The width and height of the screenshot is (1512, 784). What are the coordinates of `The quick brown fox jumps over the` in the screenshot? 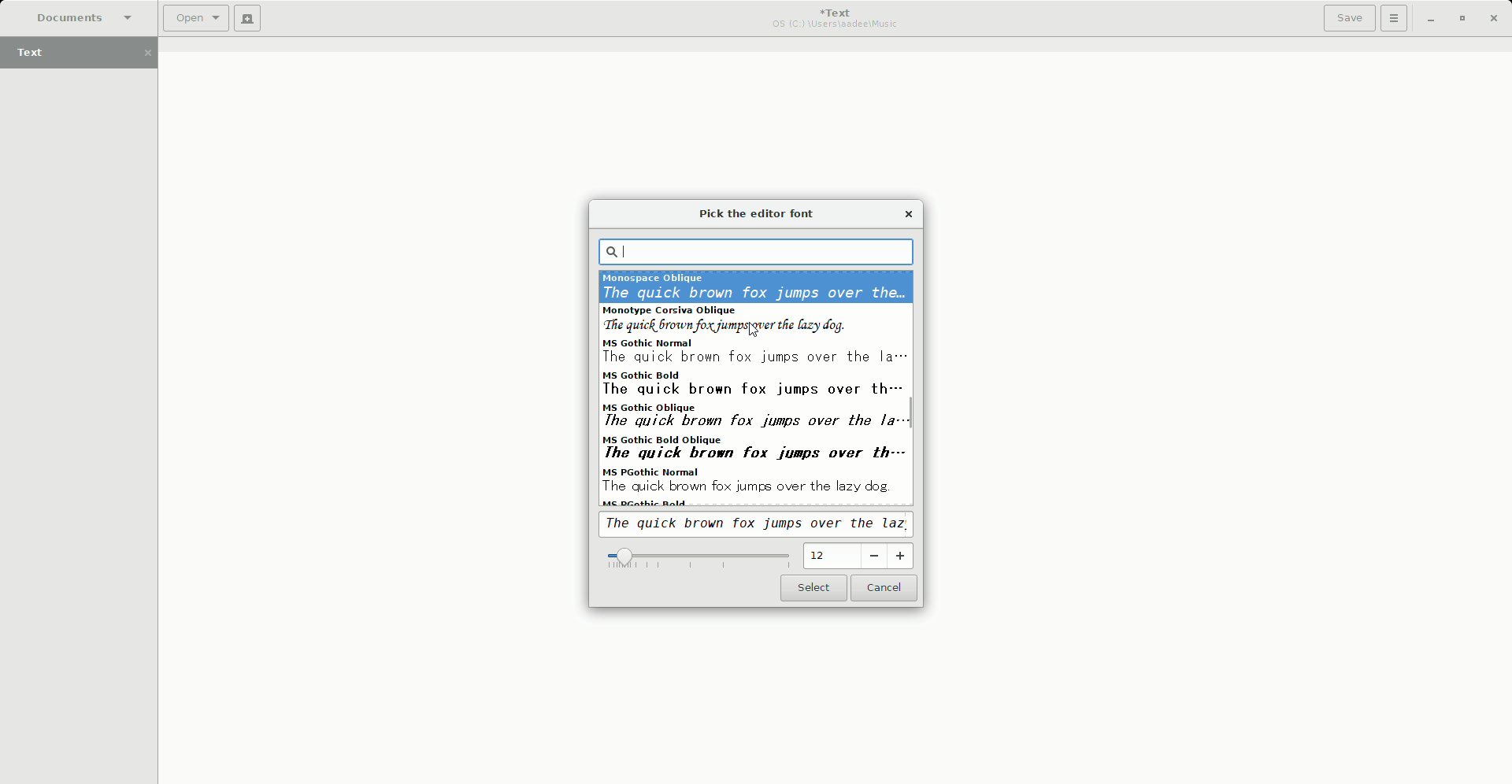 It's located at (760, 525).